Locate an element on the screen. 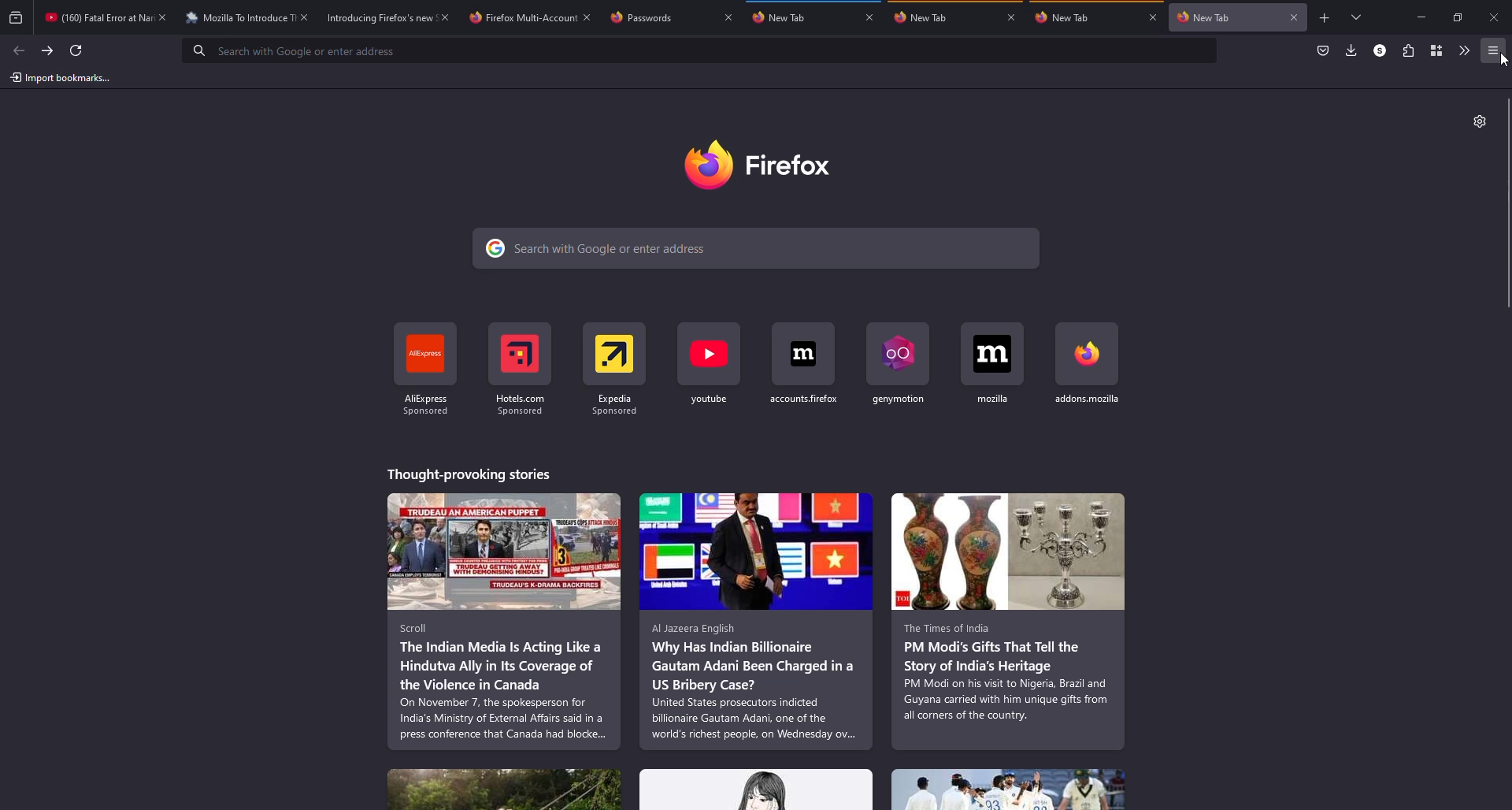 The height and width of the screenshot is (810, 1512). shortcut is located at coordinates (804, 365).